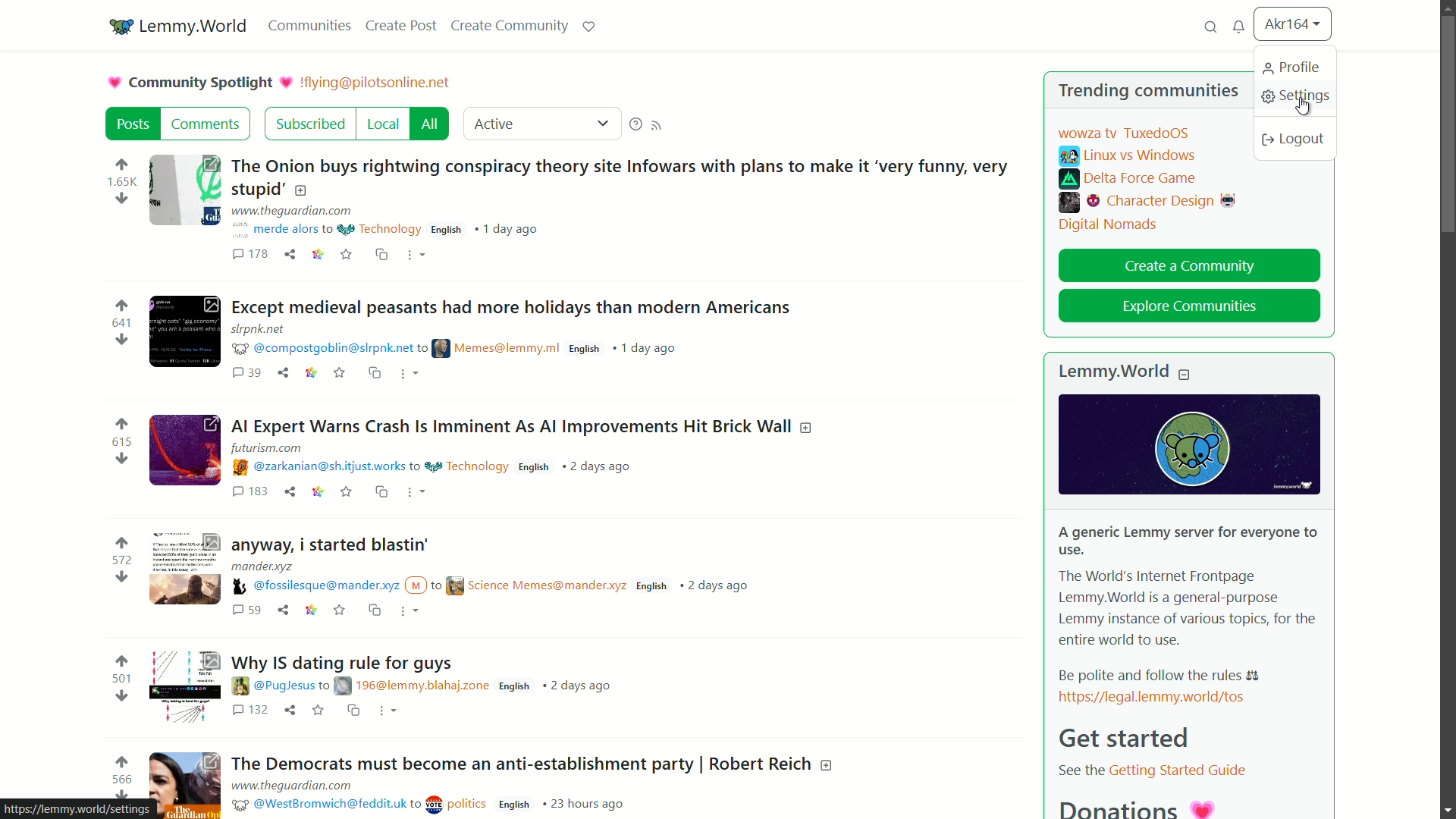 The height and width of the screenshot is (819, 1456). I want to click on about lemmy.world, so click(1189, 600).